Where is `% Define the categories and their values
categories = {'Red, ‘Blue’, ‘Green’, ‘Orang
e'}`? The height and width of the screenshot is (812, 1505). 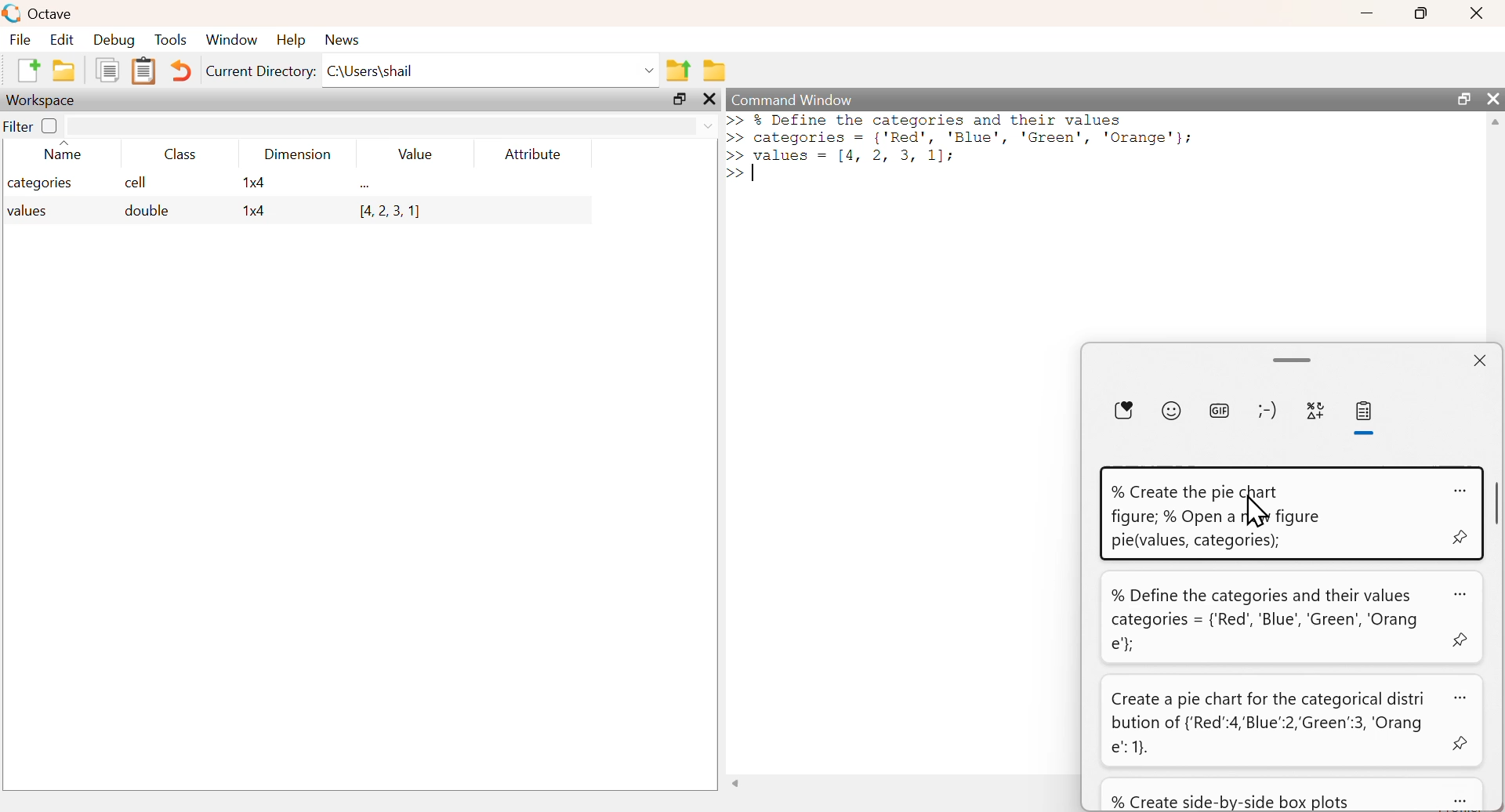
% Define the categories and their values
categories = {'Red, ‘Blue’, ‘Green’, ‘Orang
e'} is located at coordinates (1265, 619).